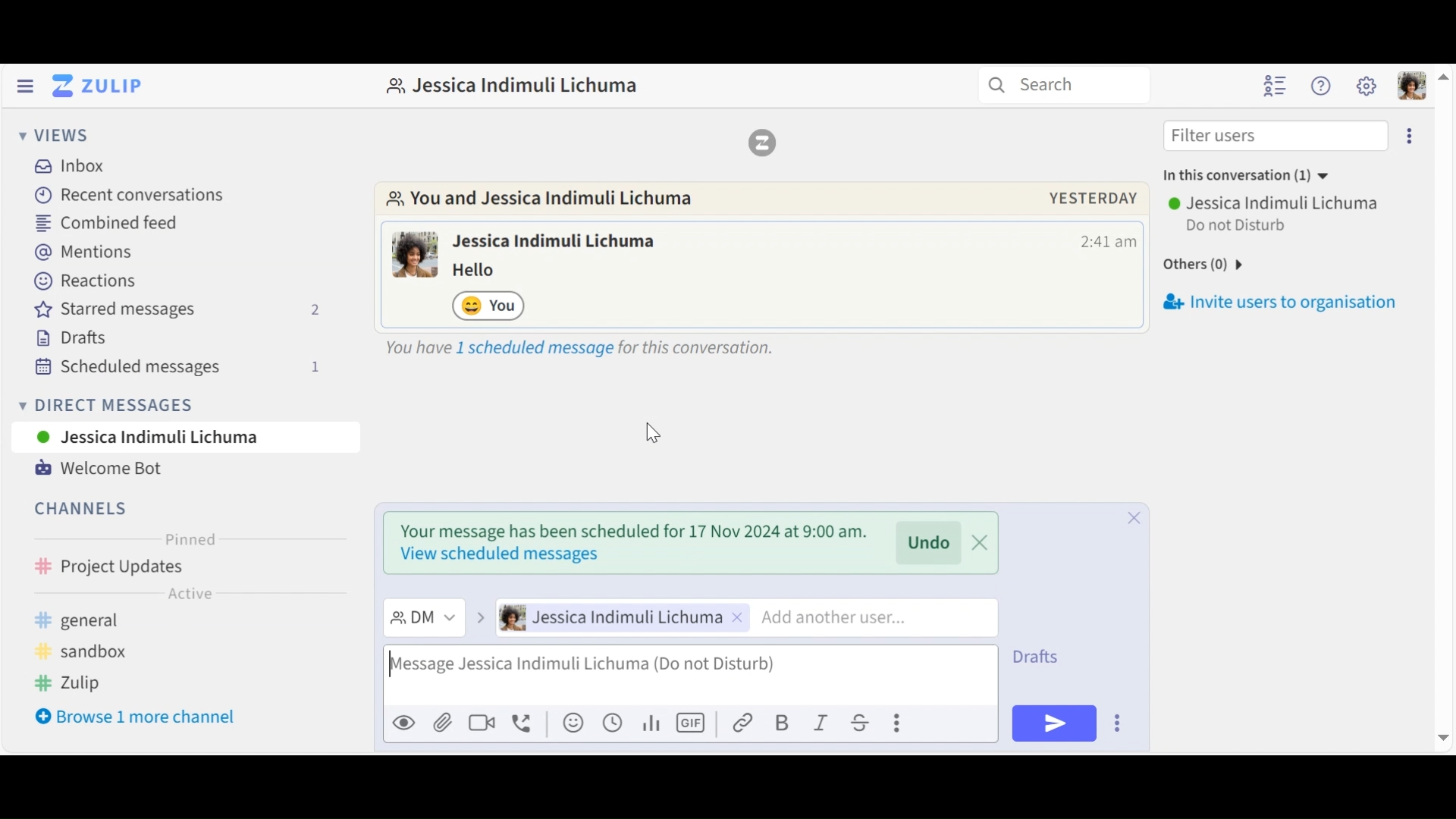  I want to click on Reactions, so click(80, 282).